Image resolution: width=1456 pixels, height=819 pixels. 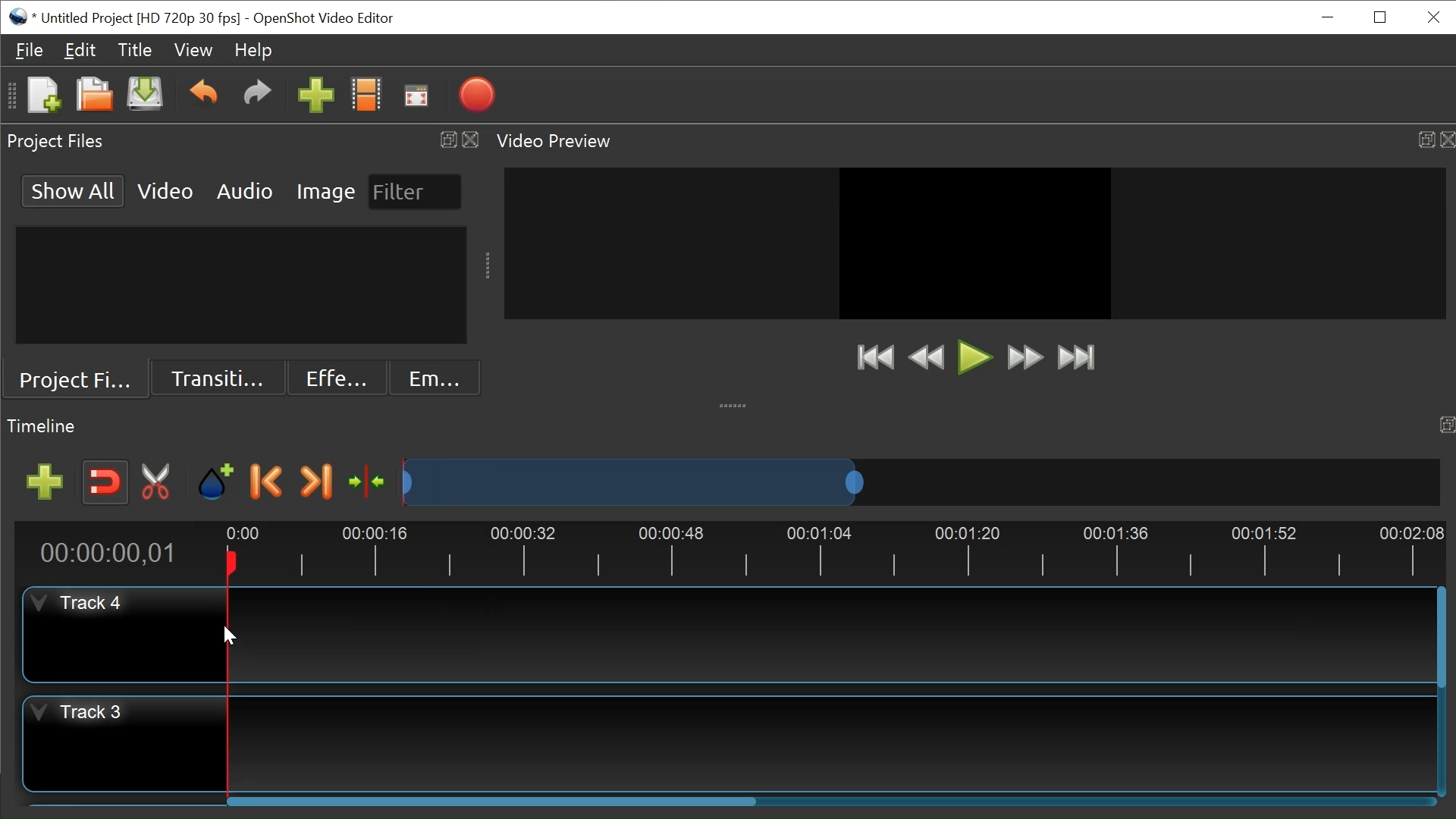 What do you see at coordinates (415, 96) in the screenshot?
I see `Fullscreen` at bounding box center [415, 96].